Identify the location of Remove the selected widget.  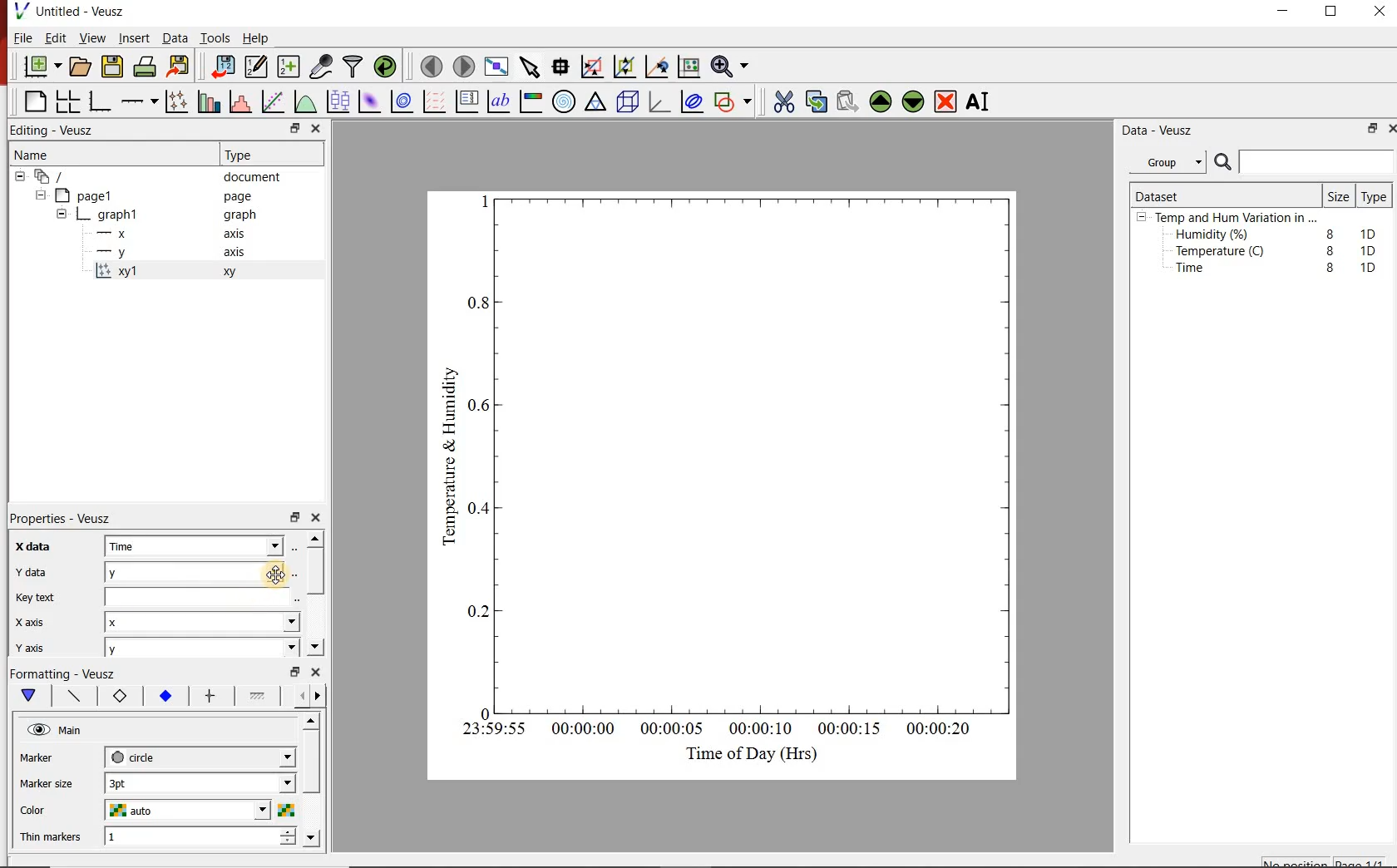
(947, 101).